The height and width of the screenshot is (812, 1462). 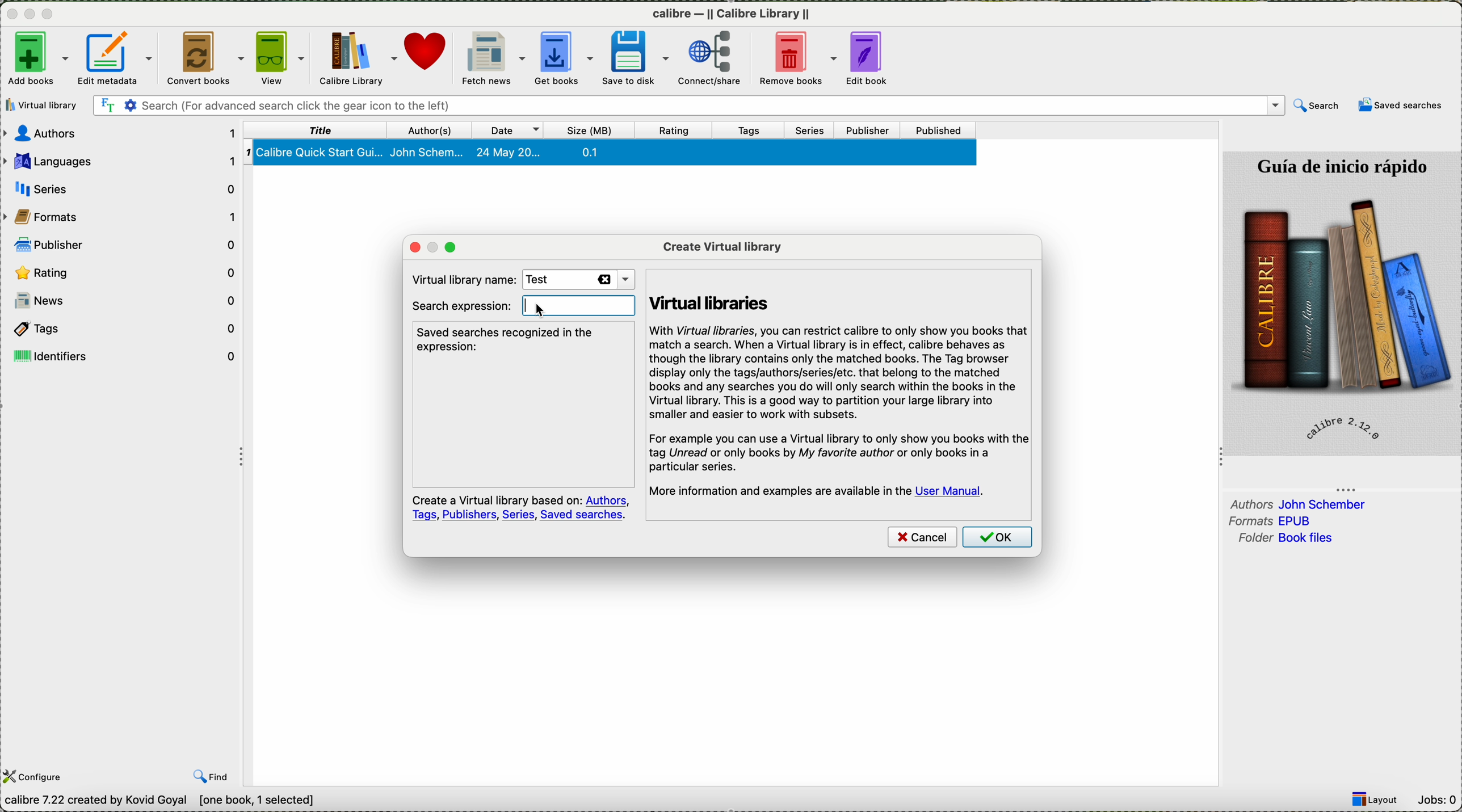 What do you see at coordinates (205, 58) in the screenshot?
I see `convert books` at bounding box center [205, 58].